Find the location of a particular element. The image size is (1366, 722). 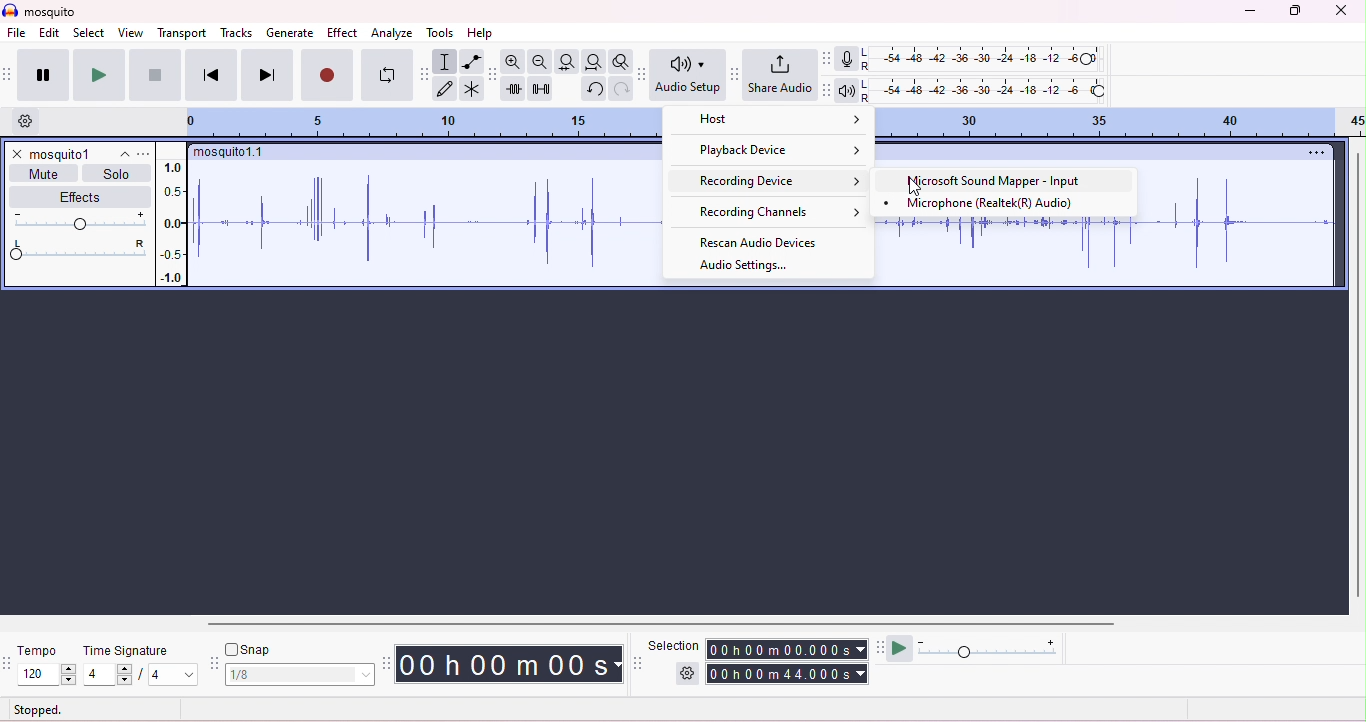

tracks is located at coordinates (237, 32).